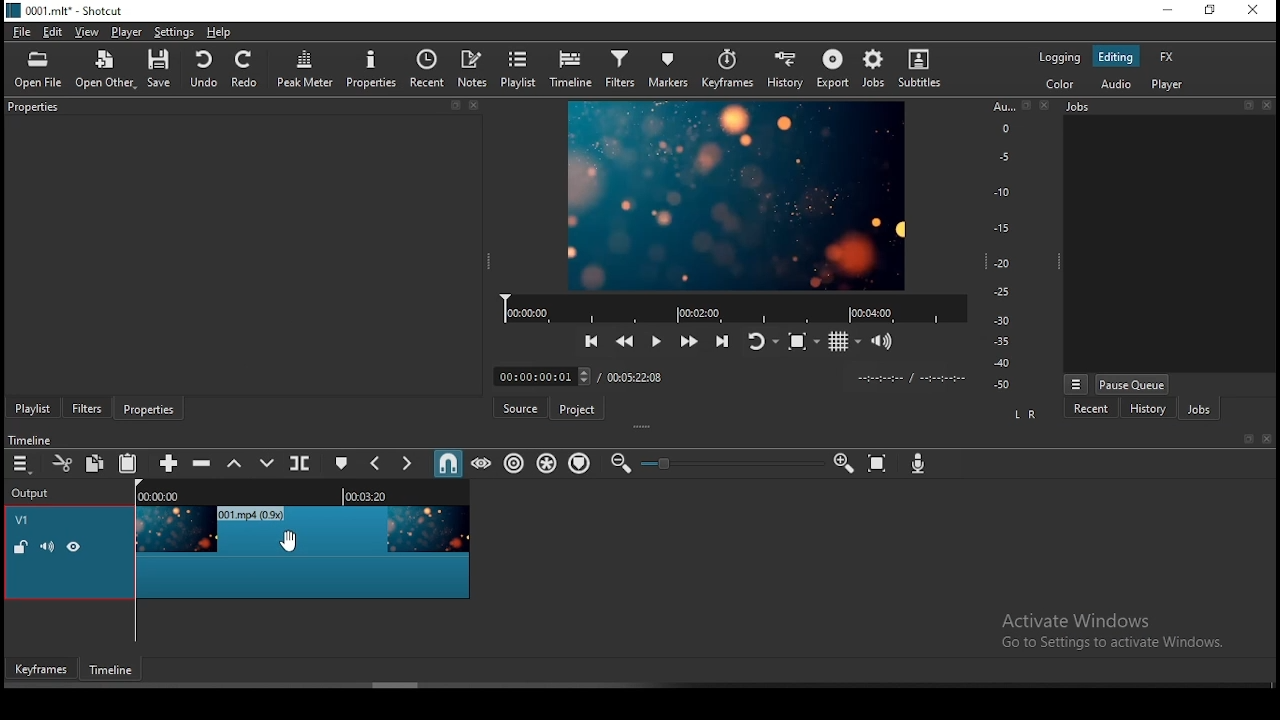  What do you see at coordinates (267, 464) in the screenshot?
I see `overwrite` at bounding box center [267, 464].